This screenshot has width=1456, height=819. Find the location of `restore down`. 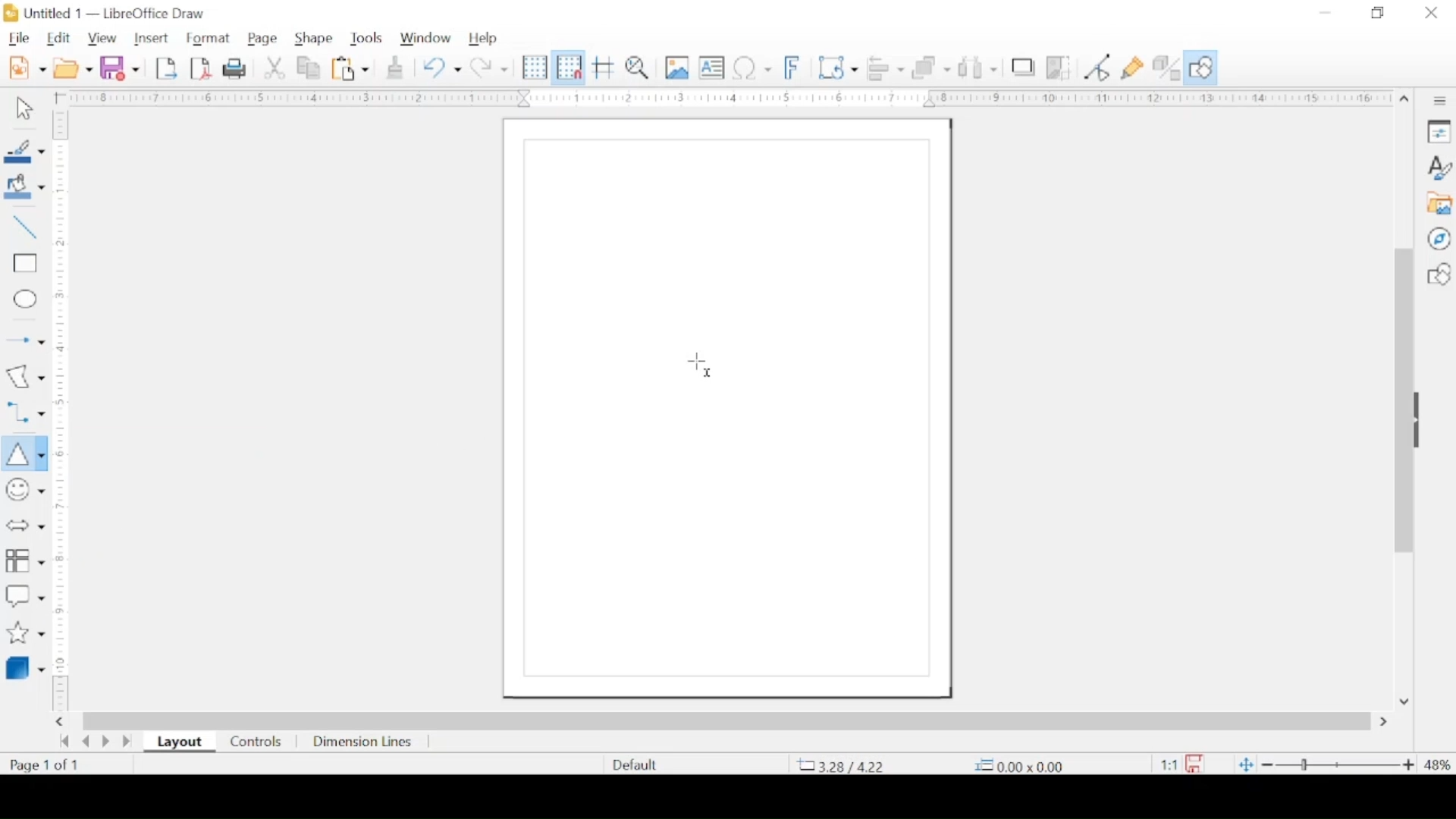

restore down is located at coordinates (1376, 13).